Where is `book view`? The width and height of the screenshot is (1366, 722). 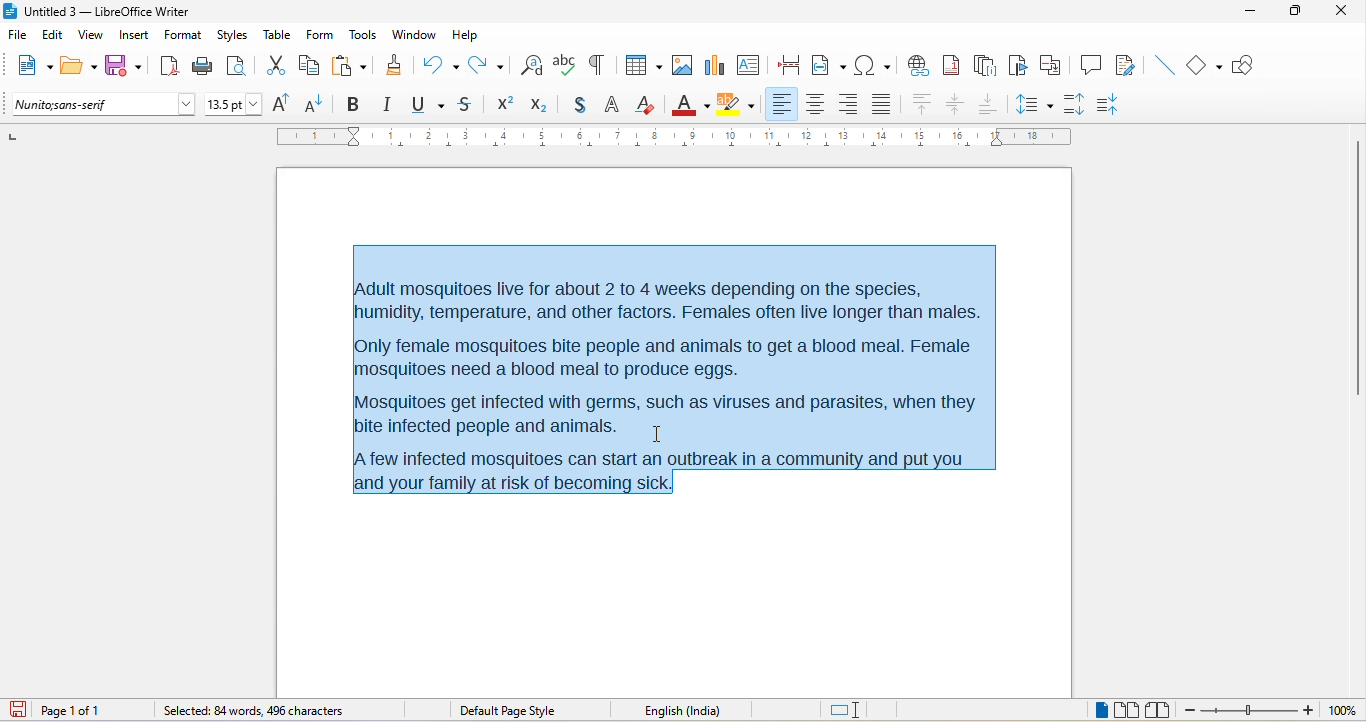 book view is located at coordinates (1162, 710).